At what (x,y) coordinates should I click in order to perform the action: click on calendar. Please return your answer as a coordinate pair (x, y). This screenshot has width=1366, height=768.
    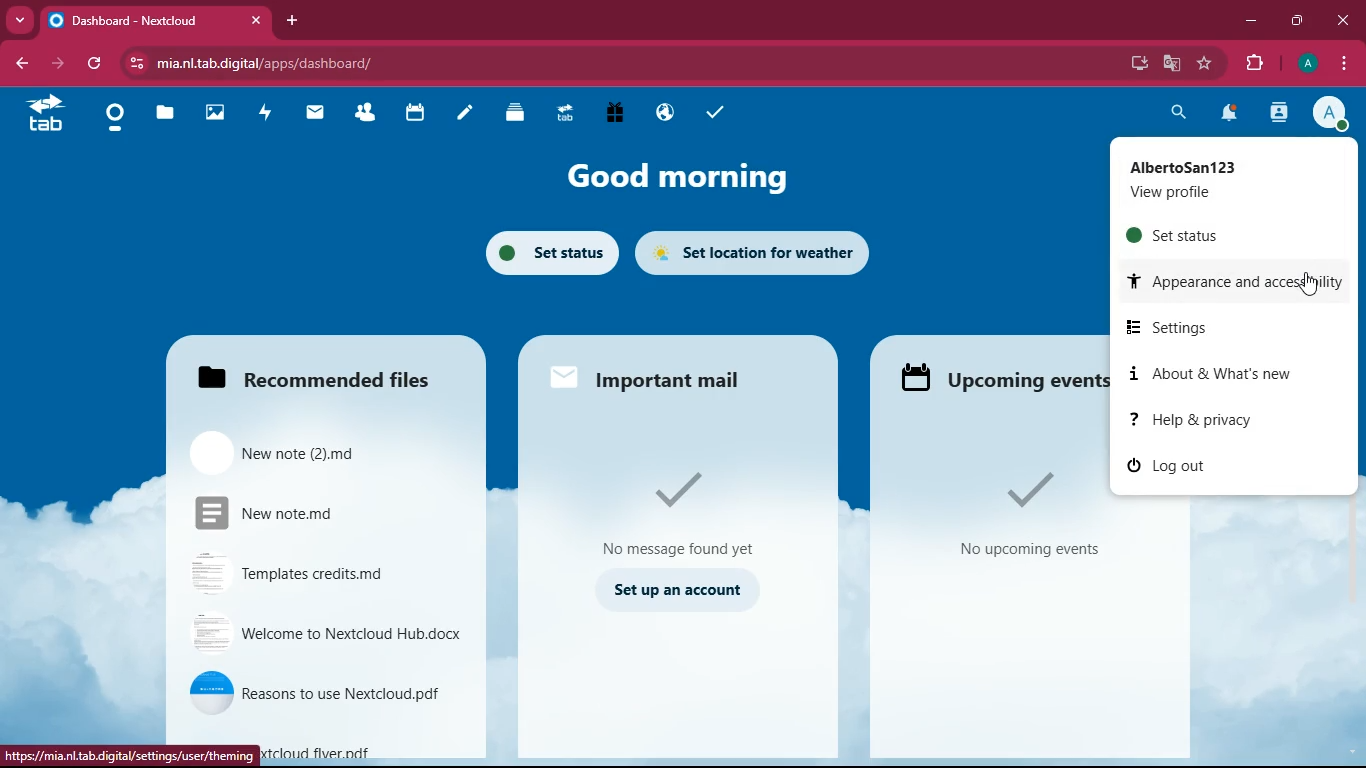
    Looking at the image, I should click on (417, 114).